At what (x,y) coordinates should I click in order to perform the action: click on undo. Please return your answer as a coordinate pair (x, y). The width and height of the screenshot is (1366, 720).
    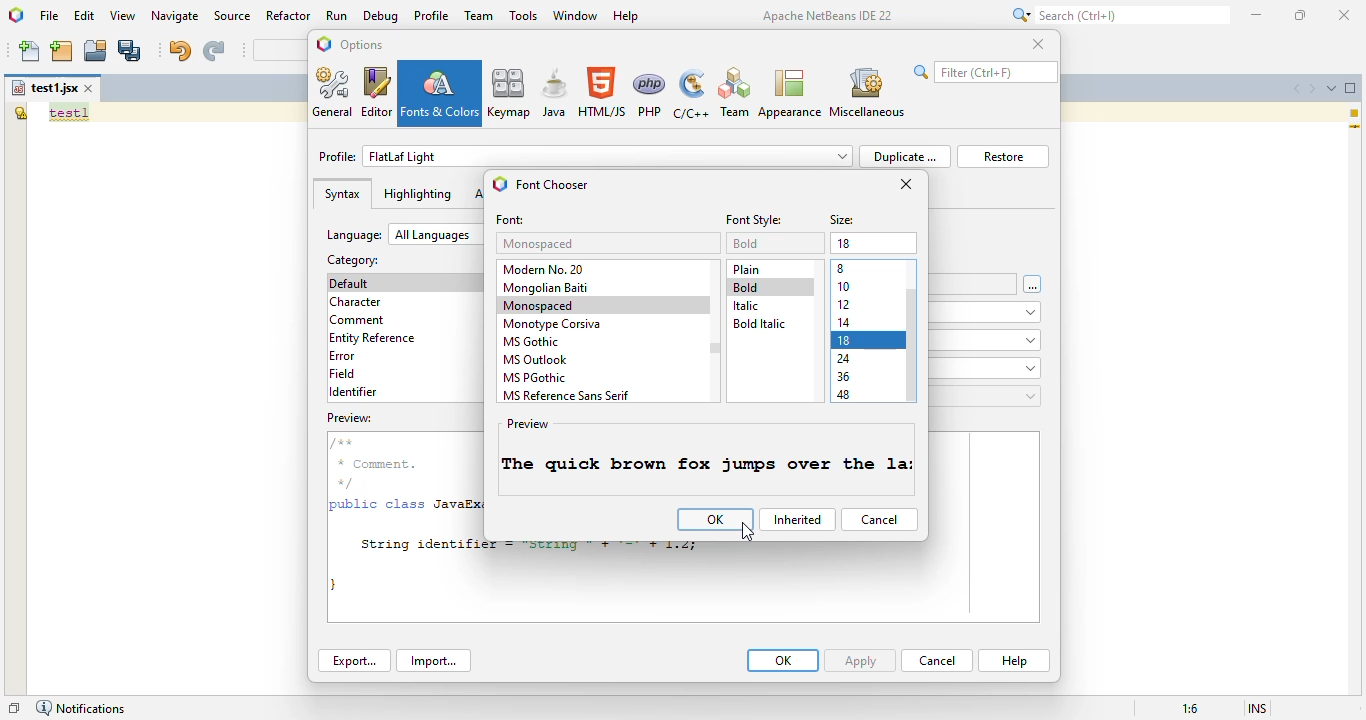
    Looking at the image, I should click on (179, 50).